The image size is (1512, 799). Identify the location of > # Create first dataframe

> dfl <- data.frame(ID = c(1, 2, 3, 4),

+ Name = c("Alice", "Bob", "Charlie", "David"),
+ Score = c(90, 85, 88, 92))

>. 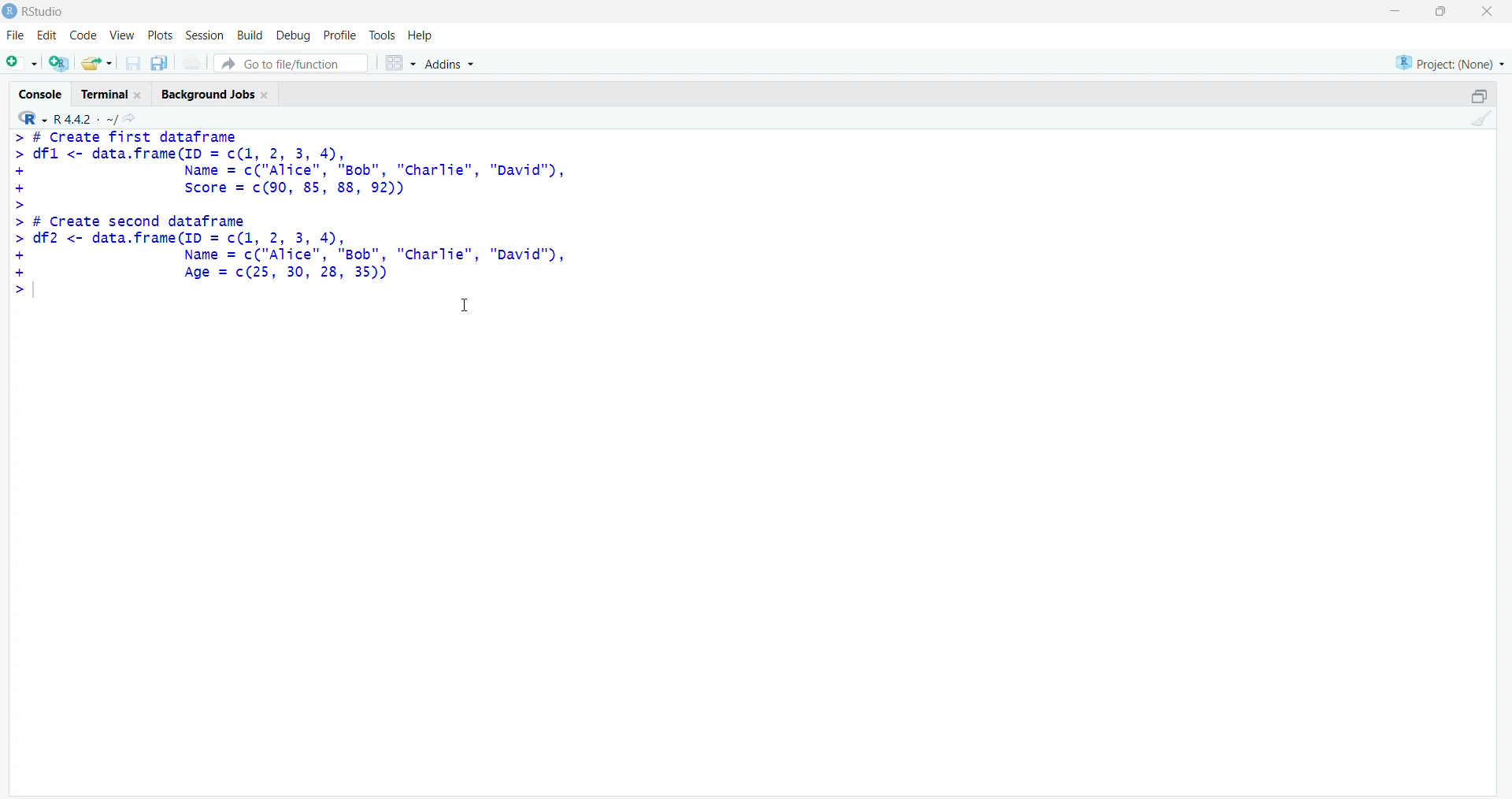
(290, 170).